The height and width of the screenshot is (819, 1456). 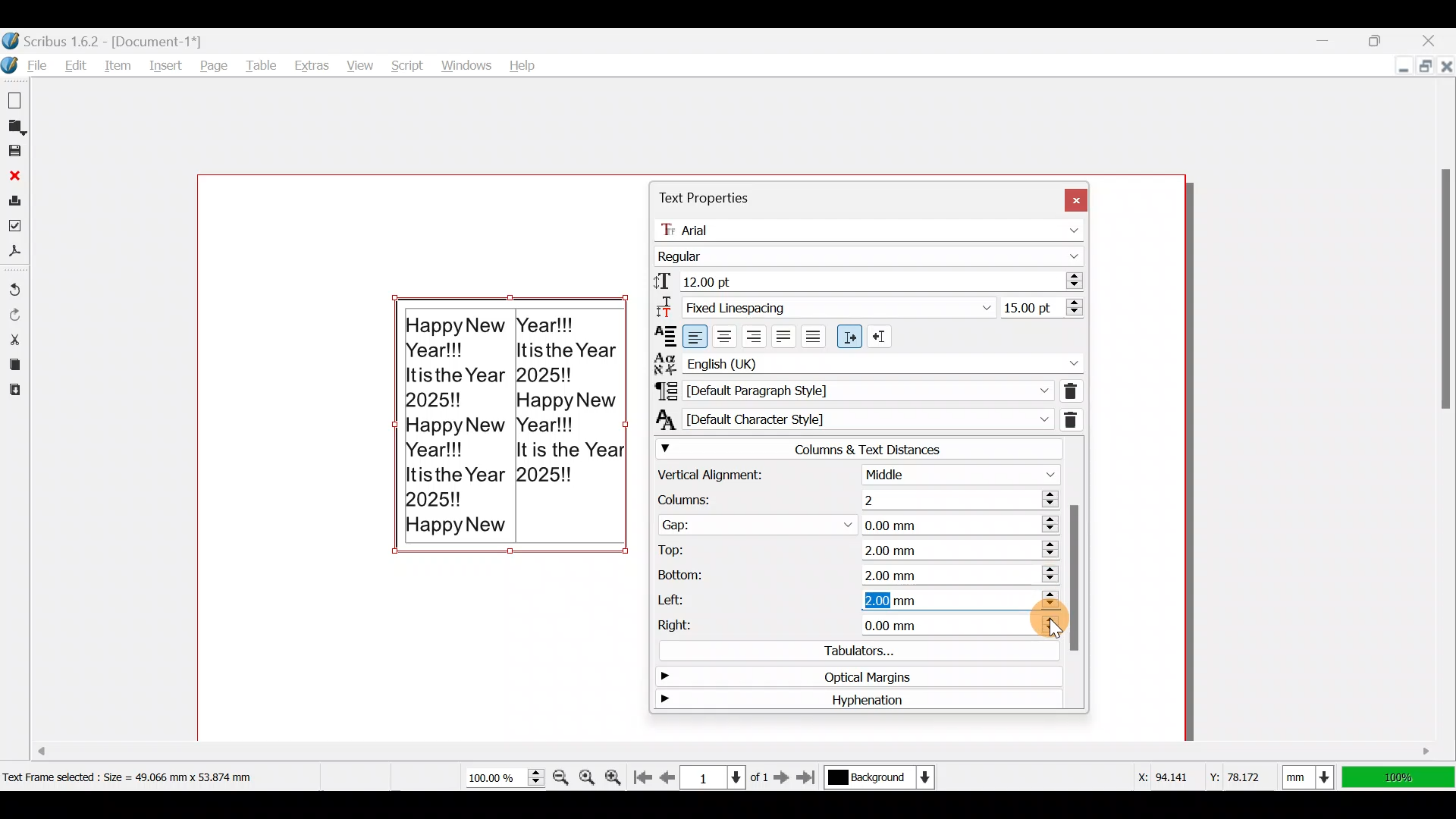 What do you see at coordinates (149, 777) in the screenshot?
I see `Dimension of selected text frame` at bounding box center [149, 777].